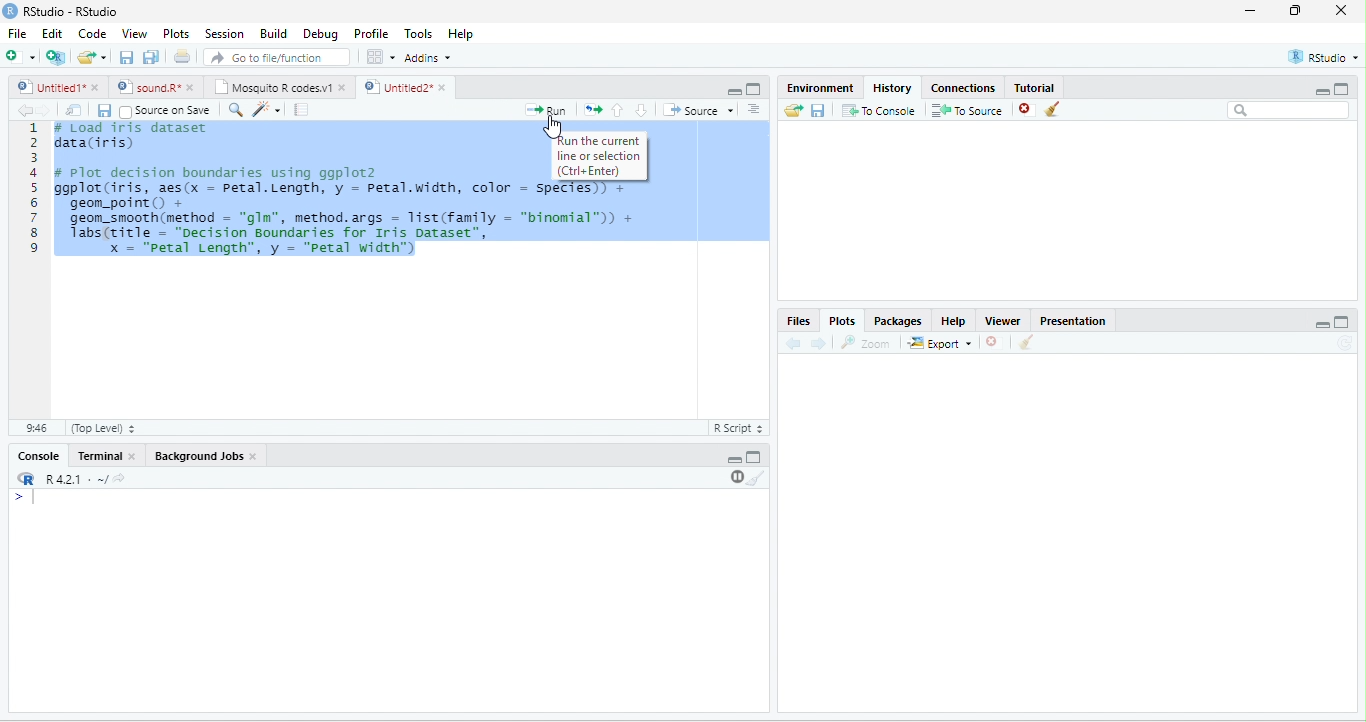 This screenshot has height=722, width=1366. Describe the element at coordinates (103, 429) in the screenshot. I see `Top Level` at that location.